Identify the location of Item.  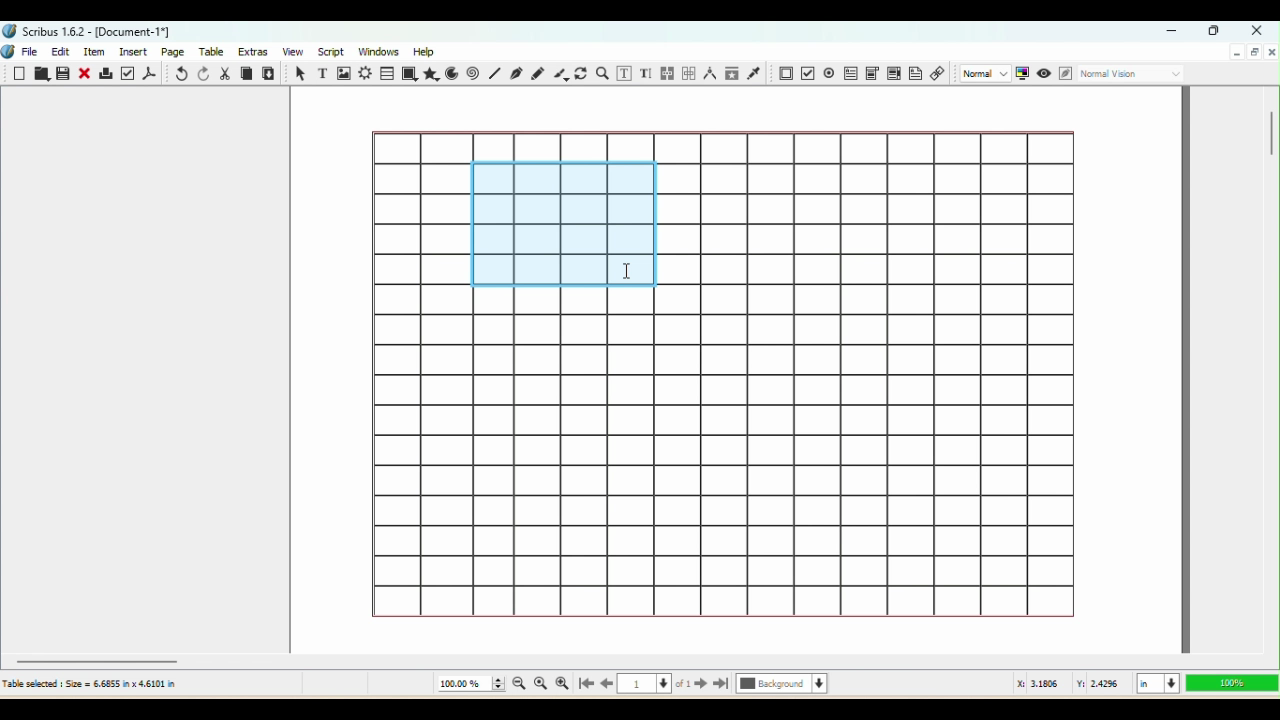
(98, 52).